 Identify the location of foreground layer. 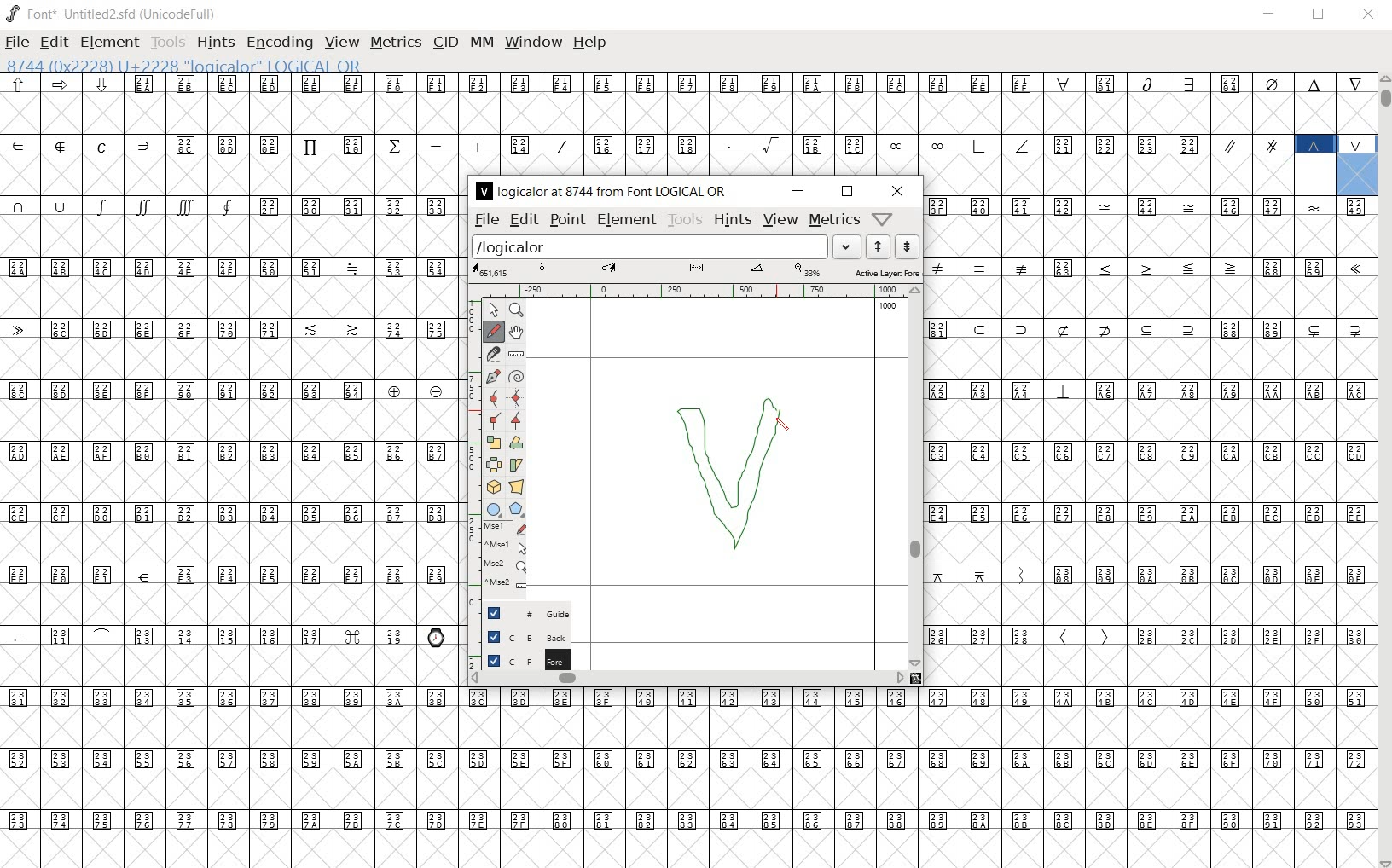
(519, 659).